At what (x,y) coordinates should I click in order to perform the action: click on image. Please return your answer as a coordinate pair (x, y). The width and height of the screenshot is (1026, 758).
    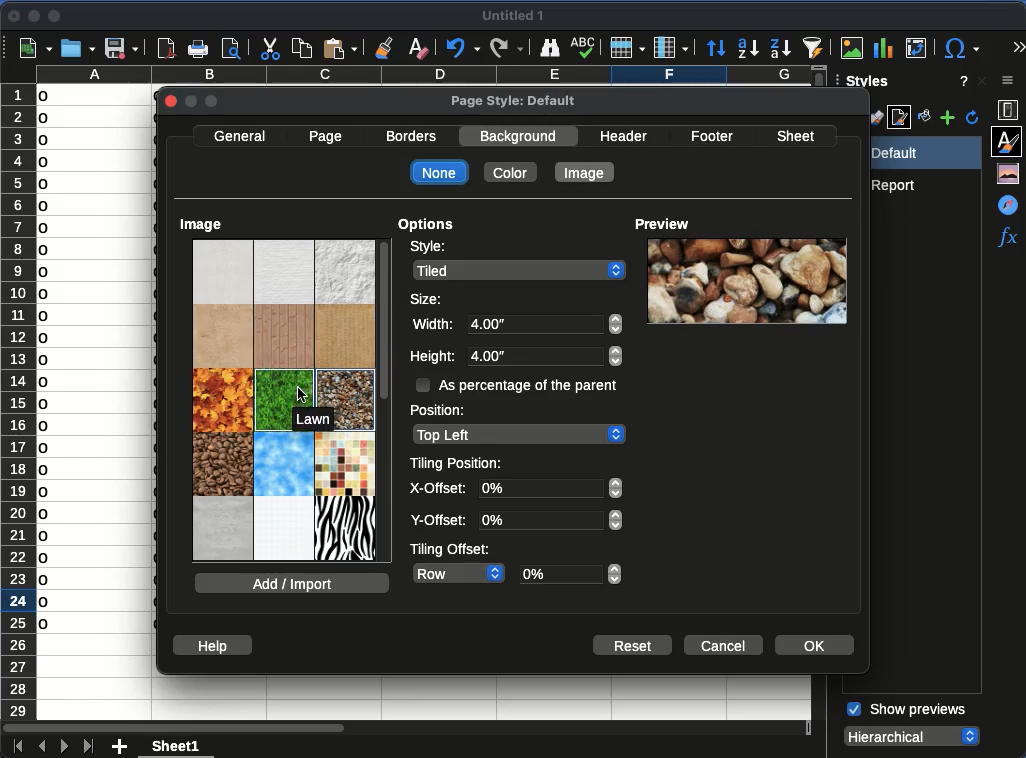
    Looking at the image, I should click on (852, 47).